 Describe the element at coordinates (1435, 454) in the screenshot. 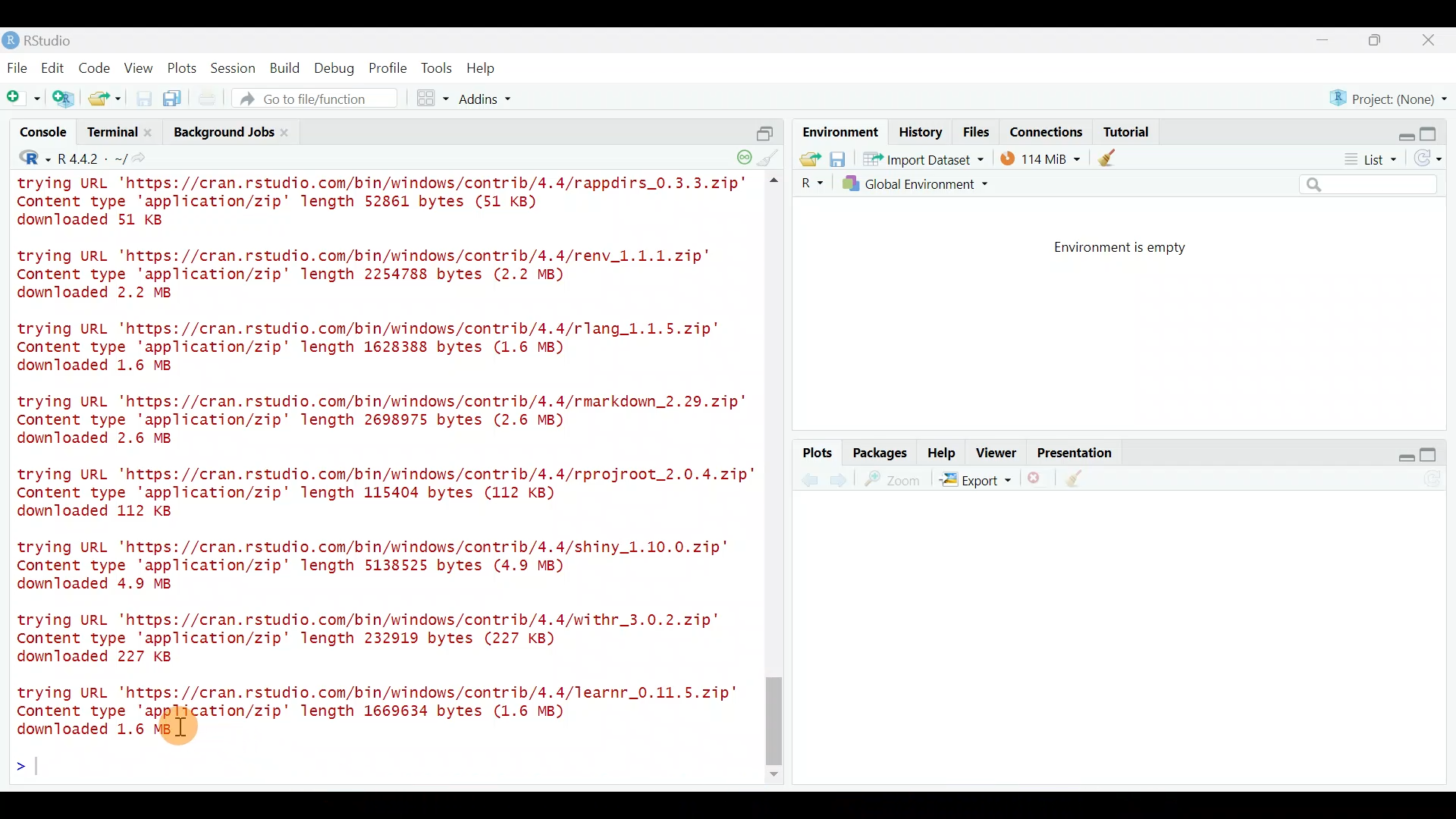

I see `maximize` at that location.